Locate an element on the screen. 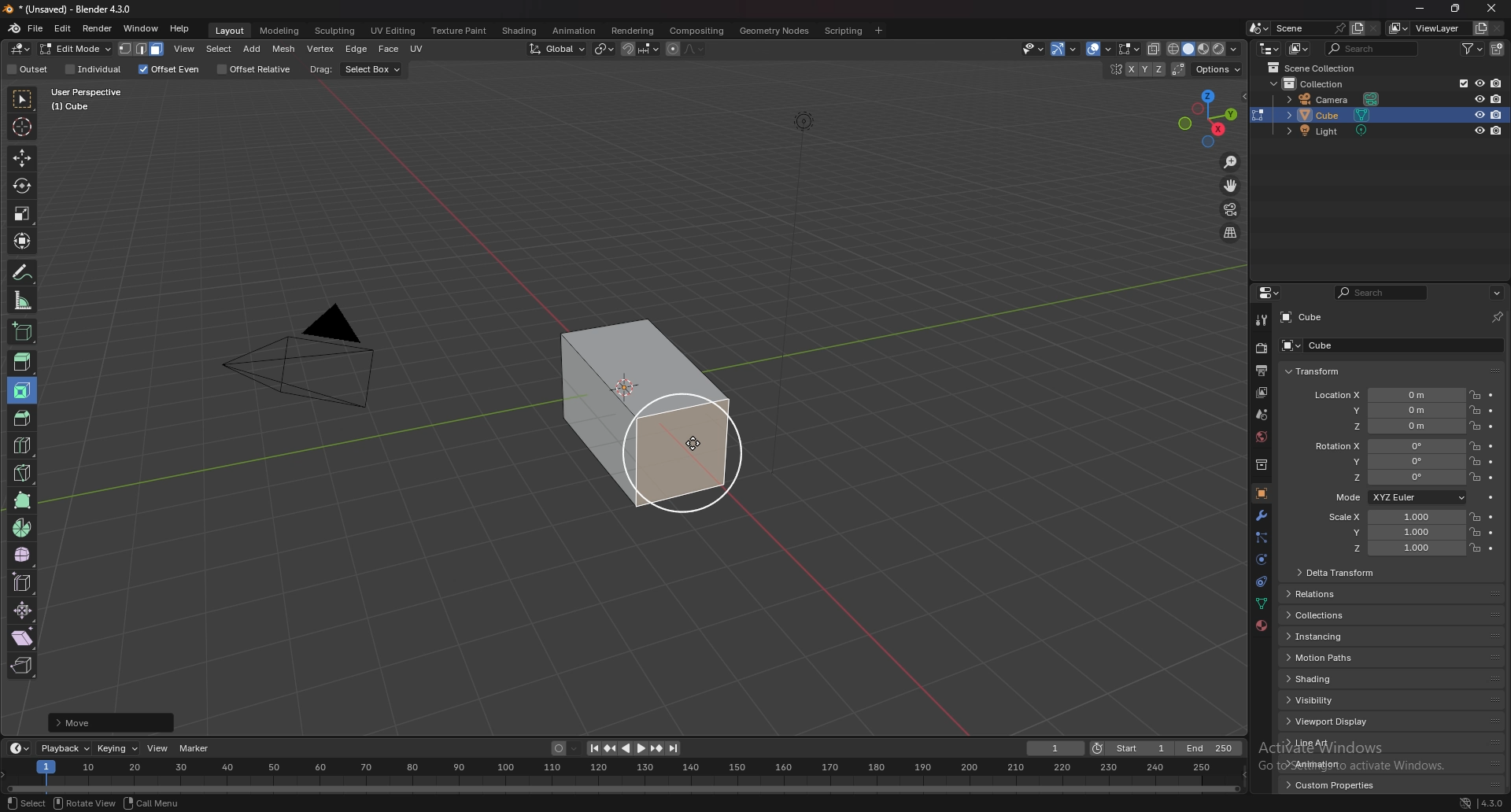 This screenshot has width=1511, height=812. start is located at coordinates (1132, 747).